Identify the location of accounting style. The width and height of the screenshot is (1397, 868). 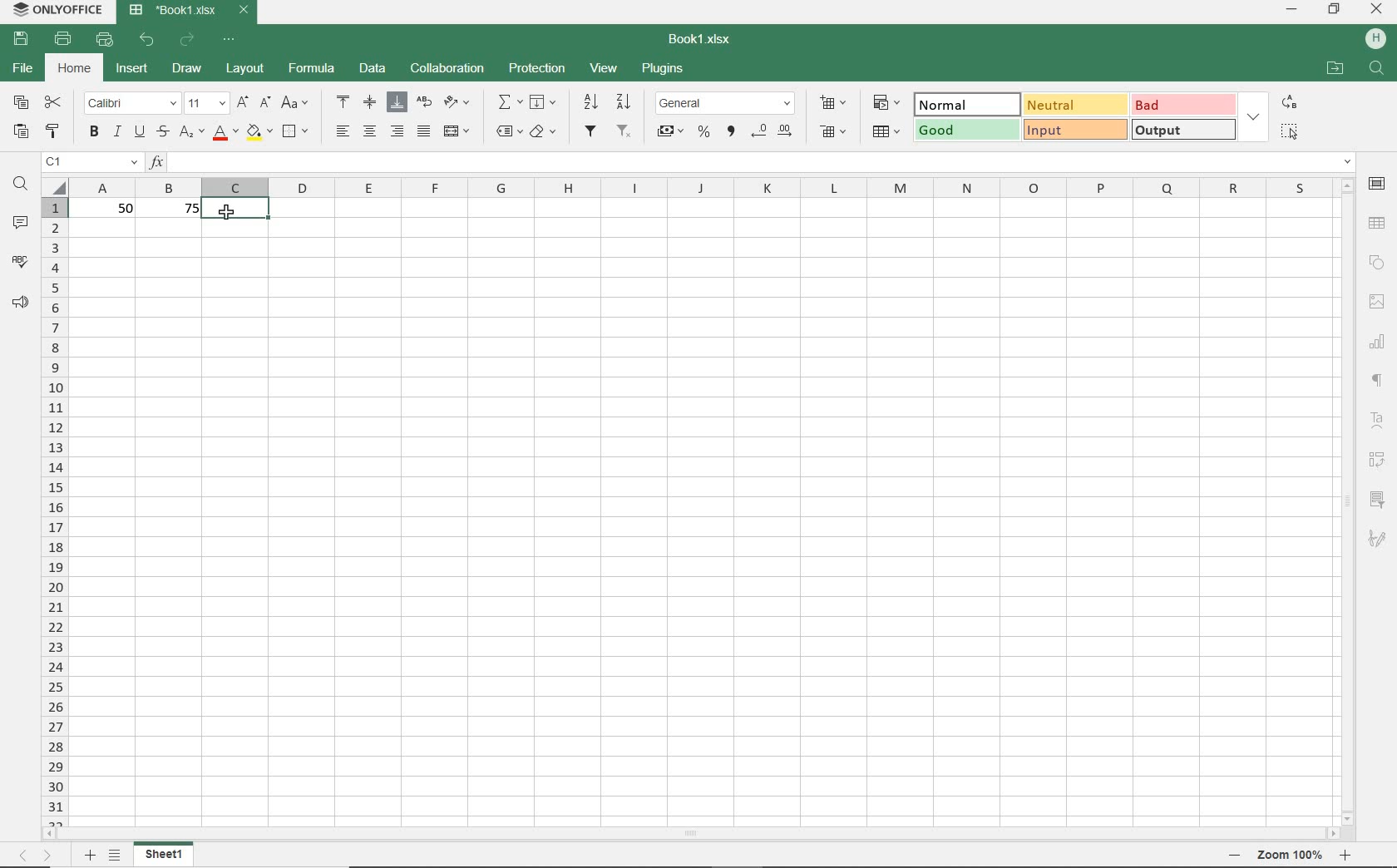
(671, 131).